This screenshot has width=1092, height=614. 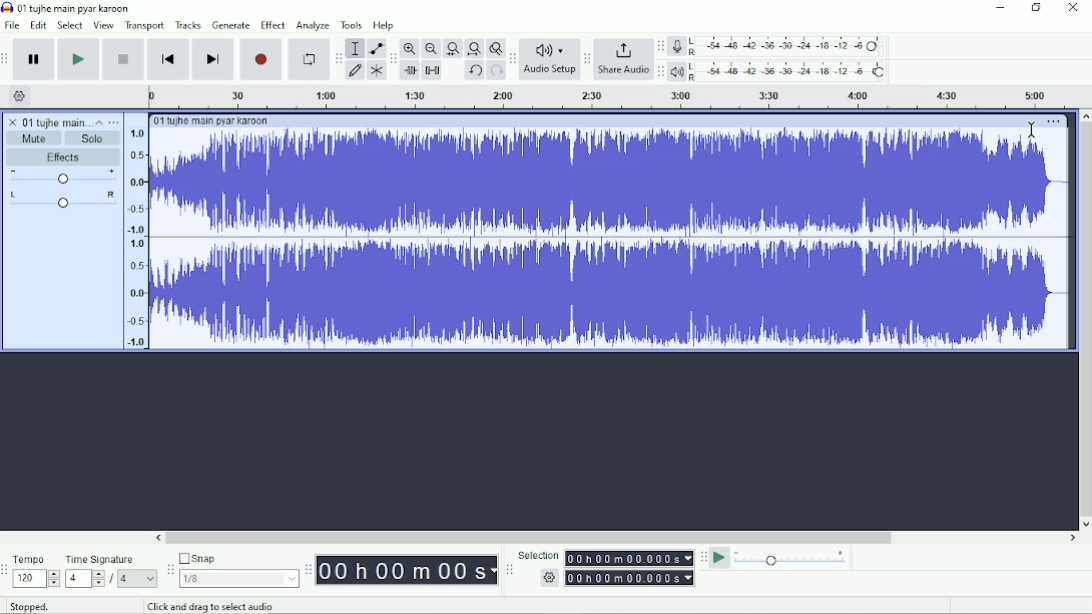 What do you see at coordinates (76, 8) in the screenshot?
I see `01 tujhe main pyar karoon` at bounding box center [76, 8].